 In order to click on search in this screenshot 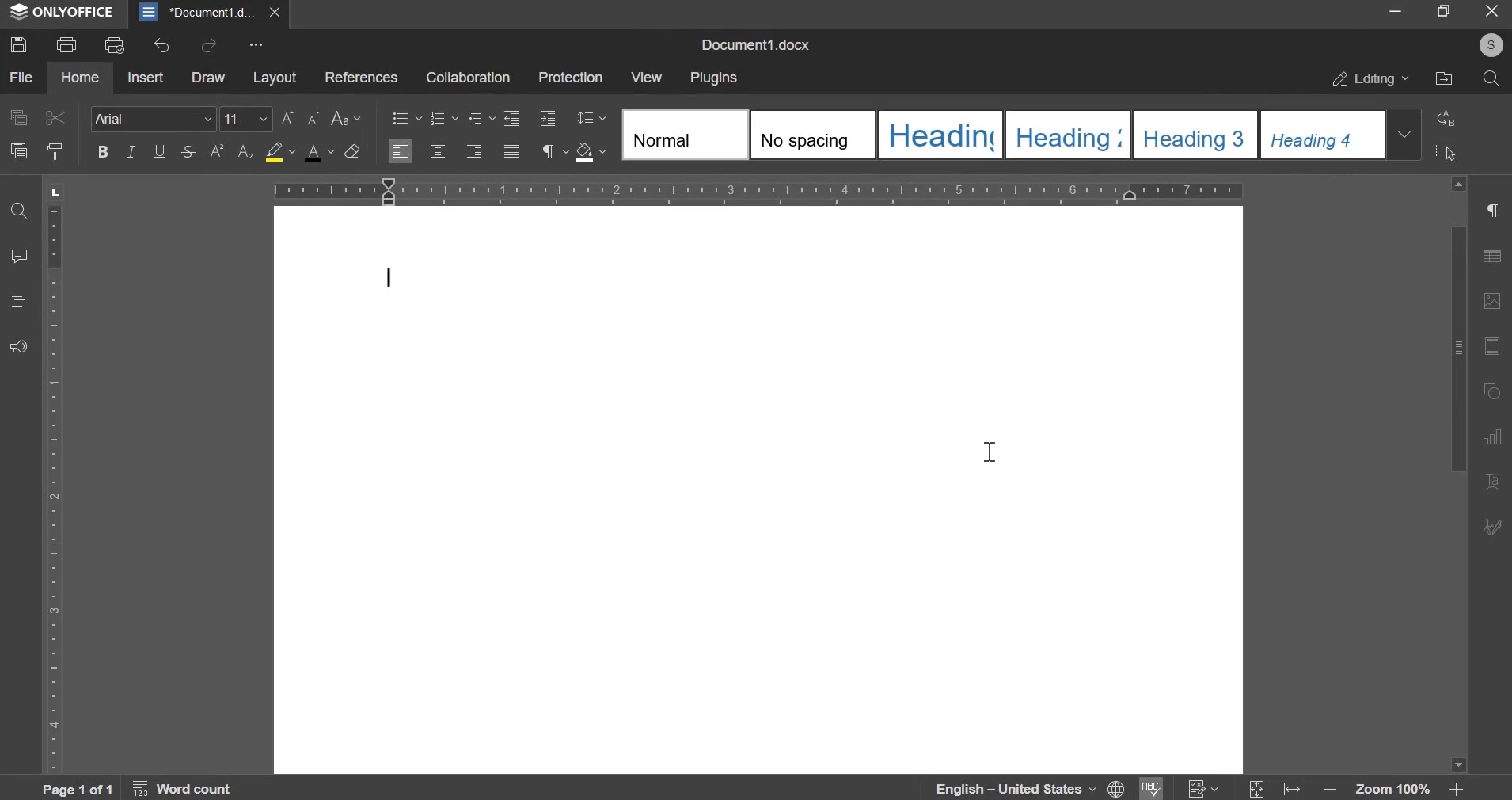, I will do `click(21, 212)`.